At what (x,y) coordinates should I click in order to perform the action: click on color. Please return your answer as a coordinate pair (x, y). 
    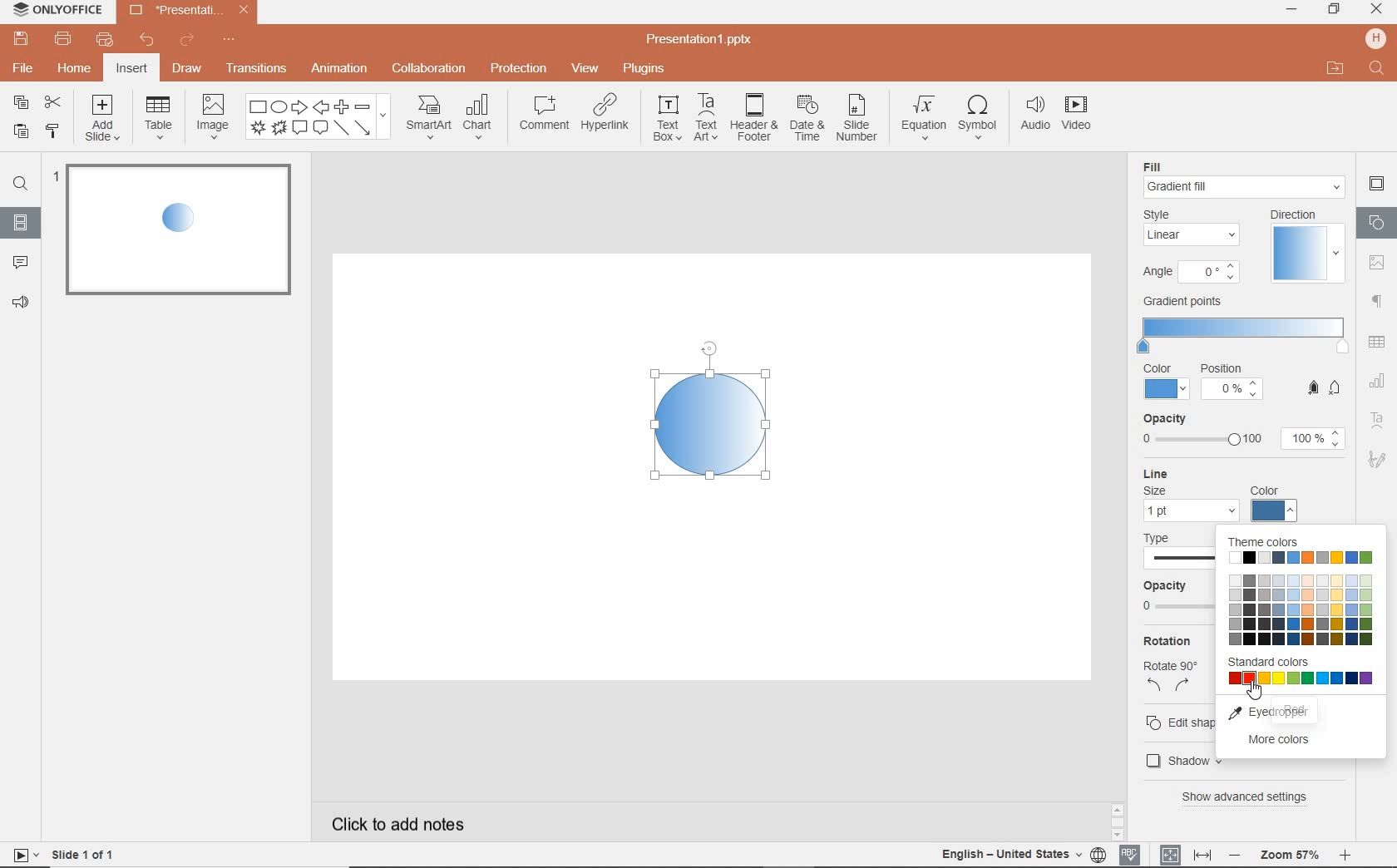
    Looking at the image, I should click on (1167, 382).